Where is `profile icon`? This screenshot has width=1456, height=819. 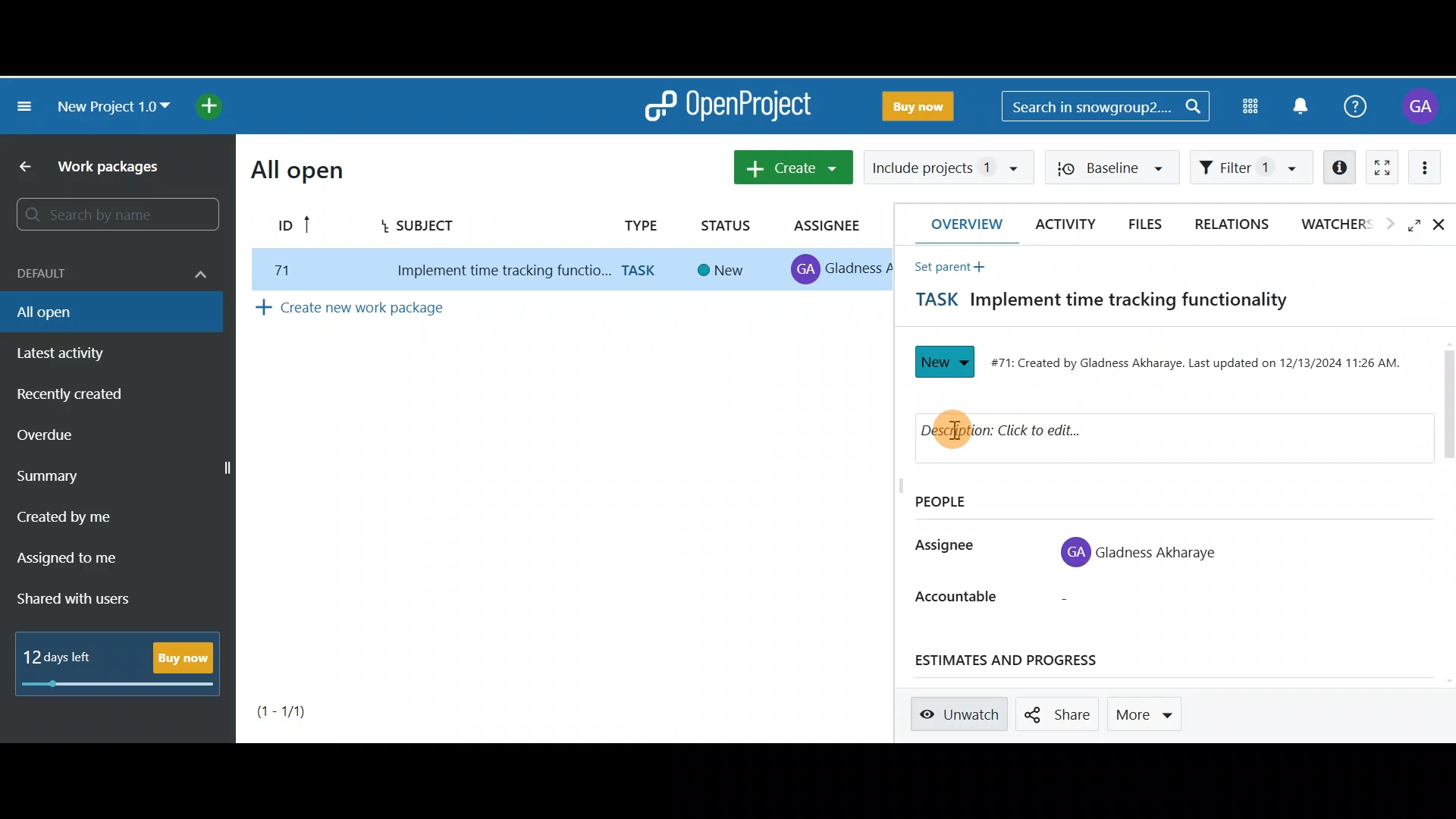
profile icon is located at coordinates (1075, 552).